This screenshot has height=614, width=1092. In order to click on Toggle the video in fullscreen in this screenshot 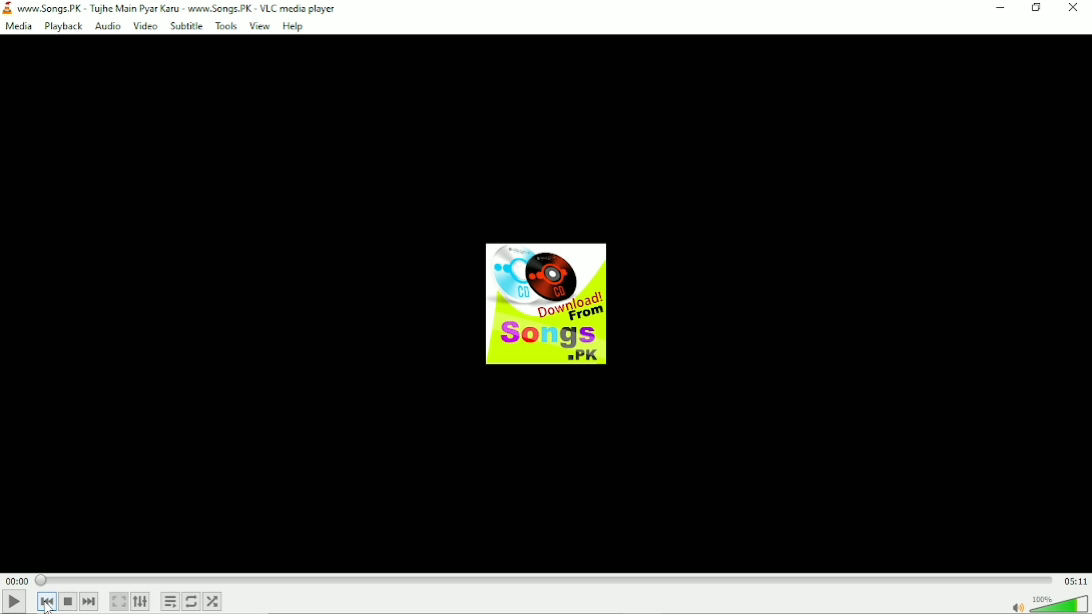, I will do `click(119, 601)`.